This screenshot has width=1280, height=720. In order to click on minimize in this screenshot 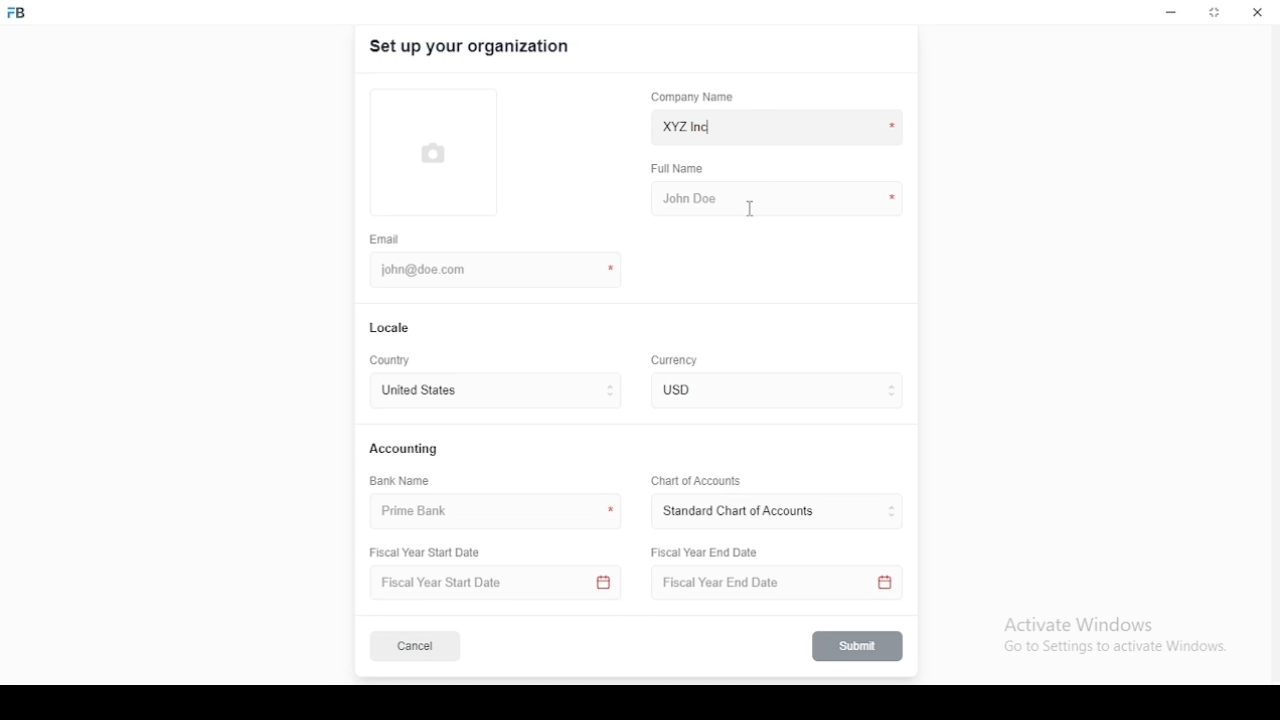, I will do `click(1171, 13)`.